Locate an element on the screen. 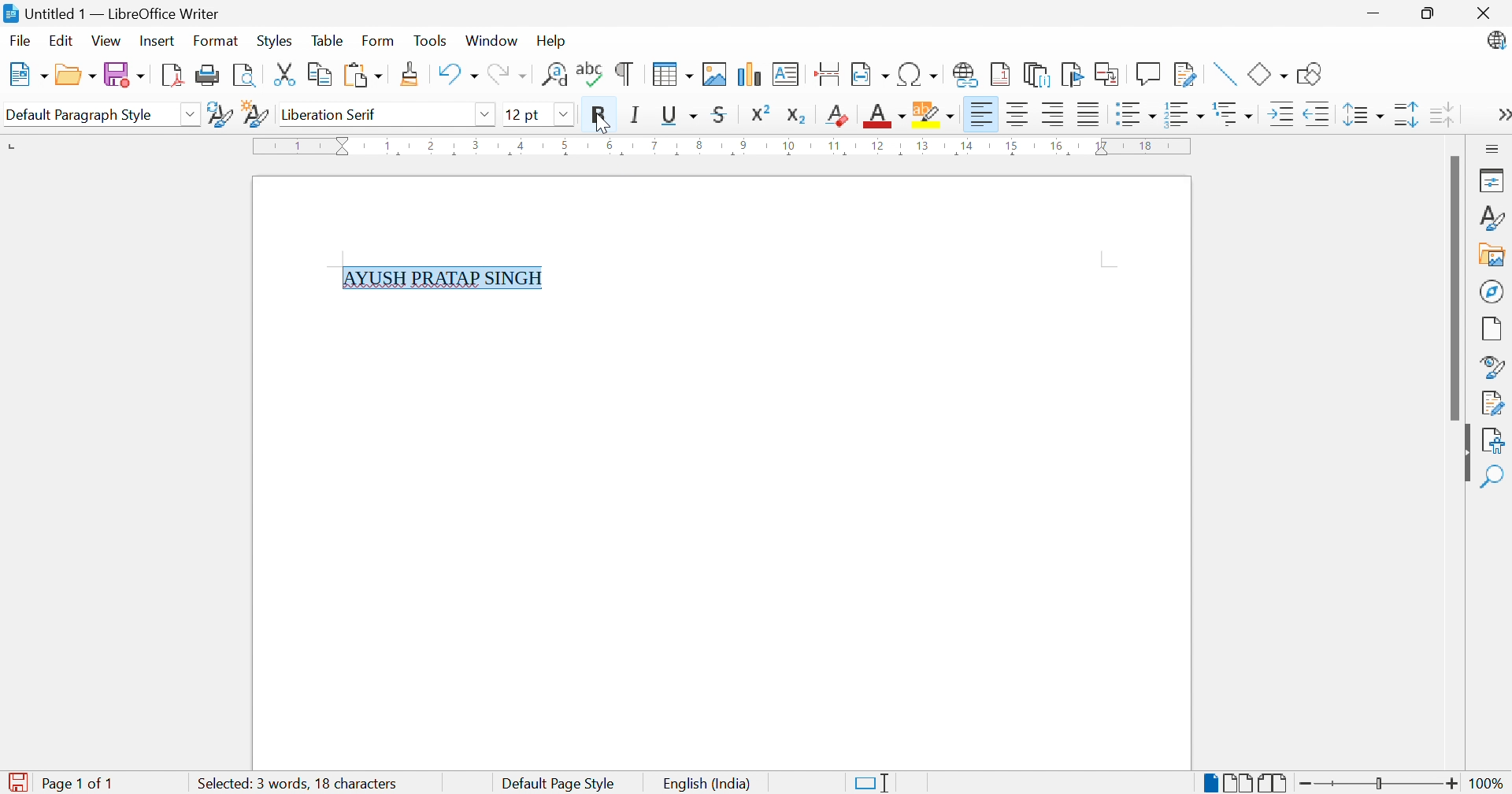 The width and height of the screenshot is (1512, 794). Style Inspector is located at coordinates (1494, 366).